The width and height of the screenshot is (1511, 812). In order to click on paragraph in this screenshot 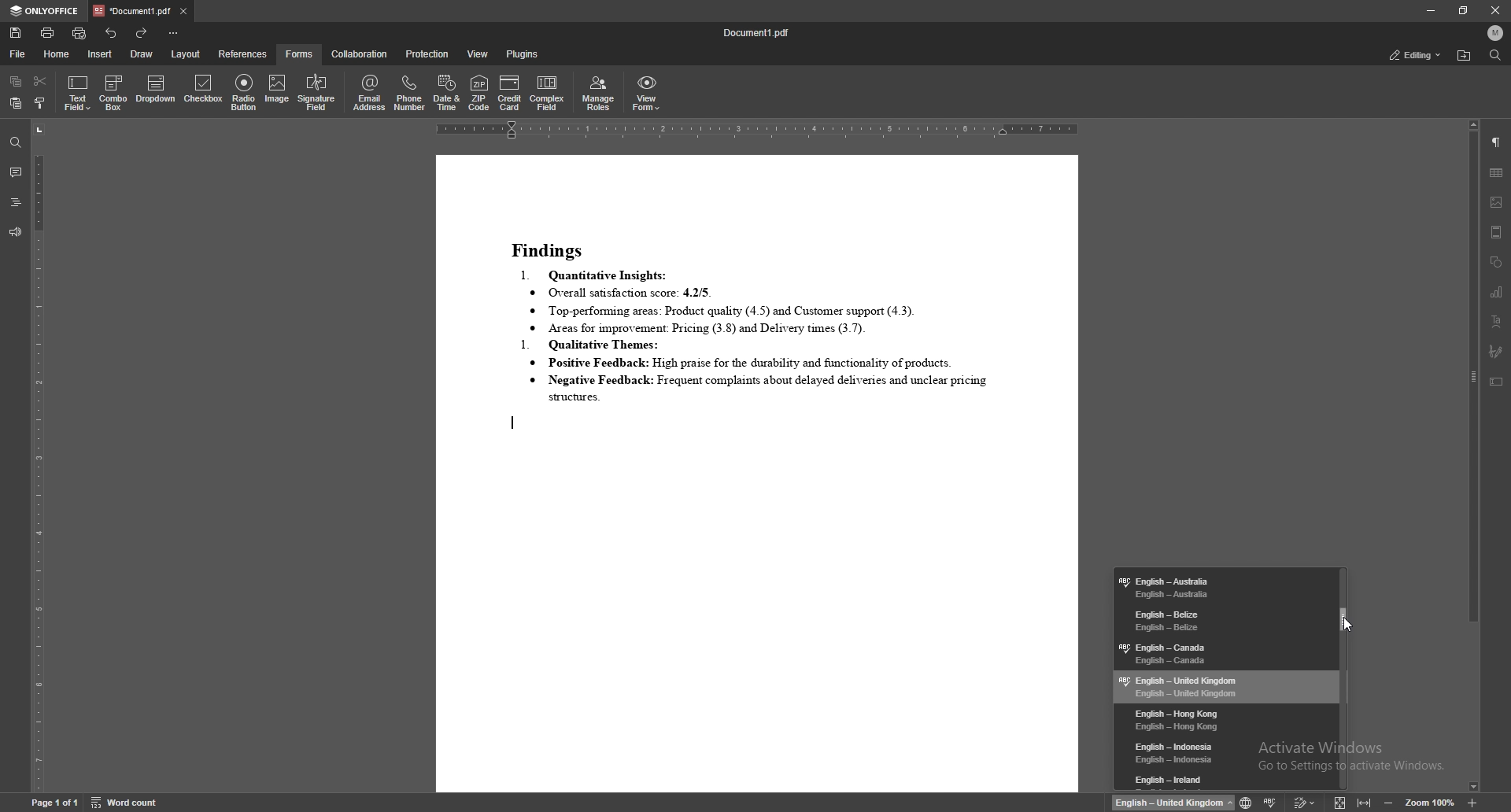, I will do `click(1495, 142)`.